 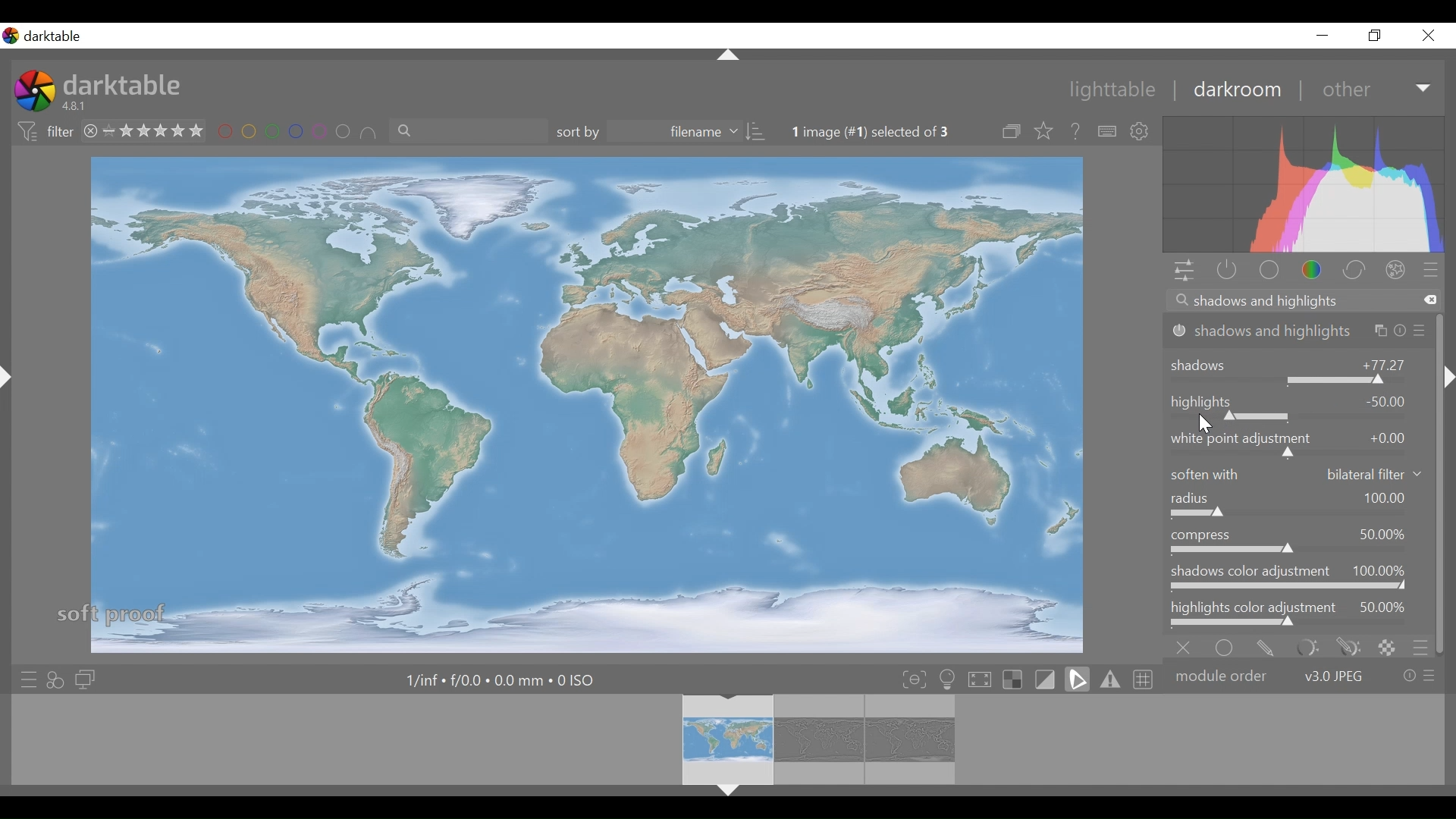 I want to click on histogram, so click(x=1305, y=184).